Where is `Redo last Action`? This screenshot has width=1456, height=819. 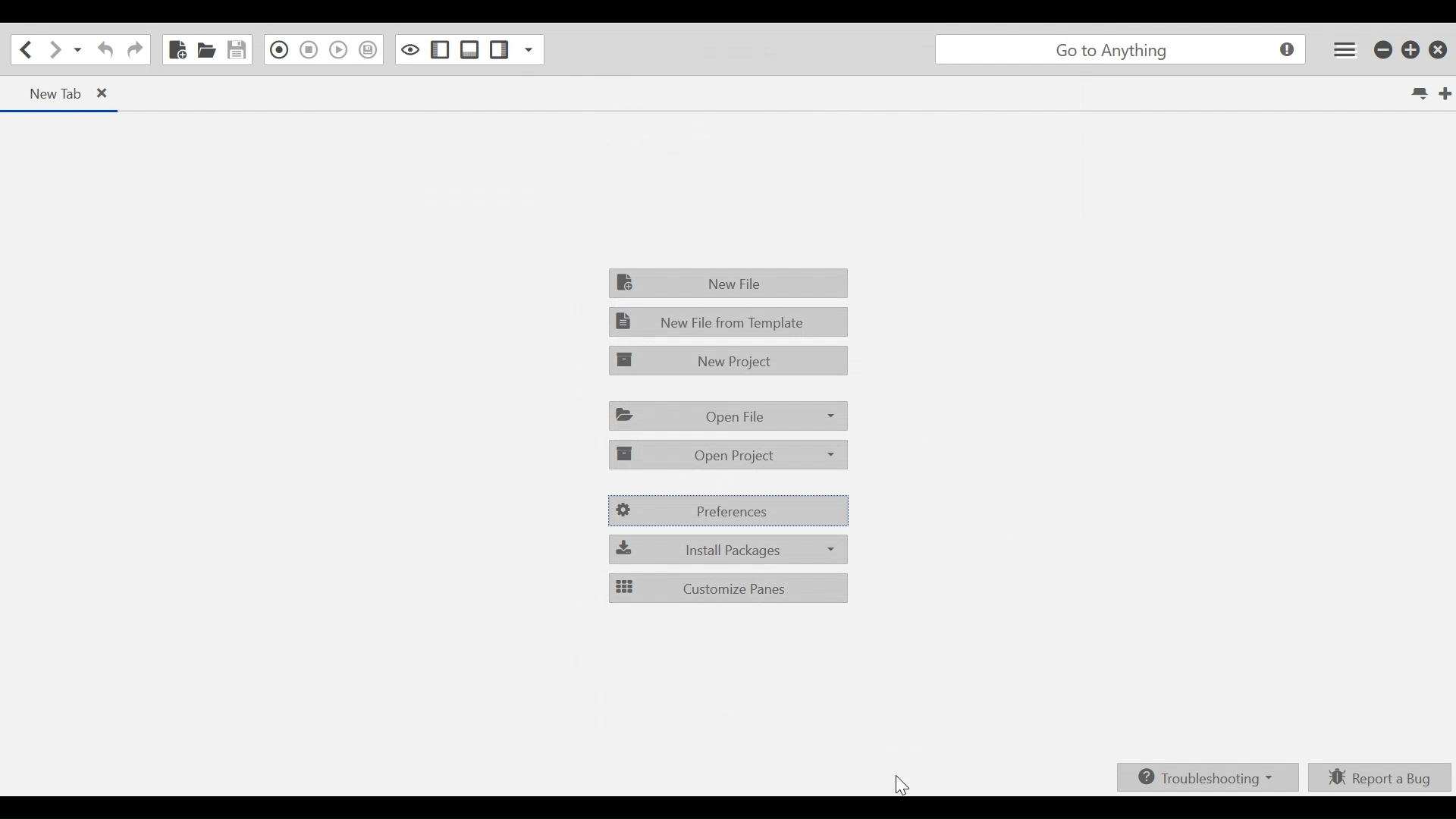
Redo last Action is located at coordinates (134, 52).